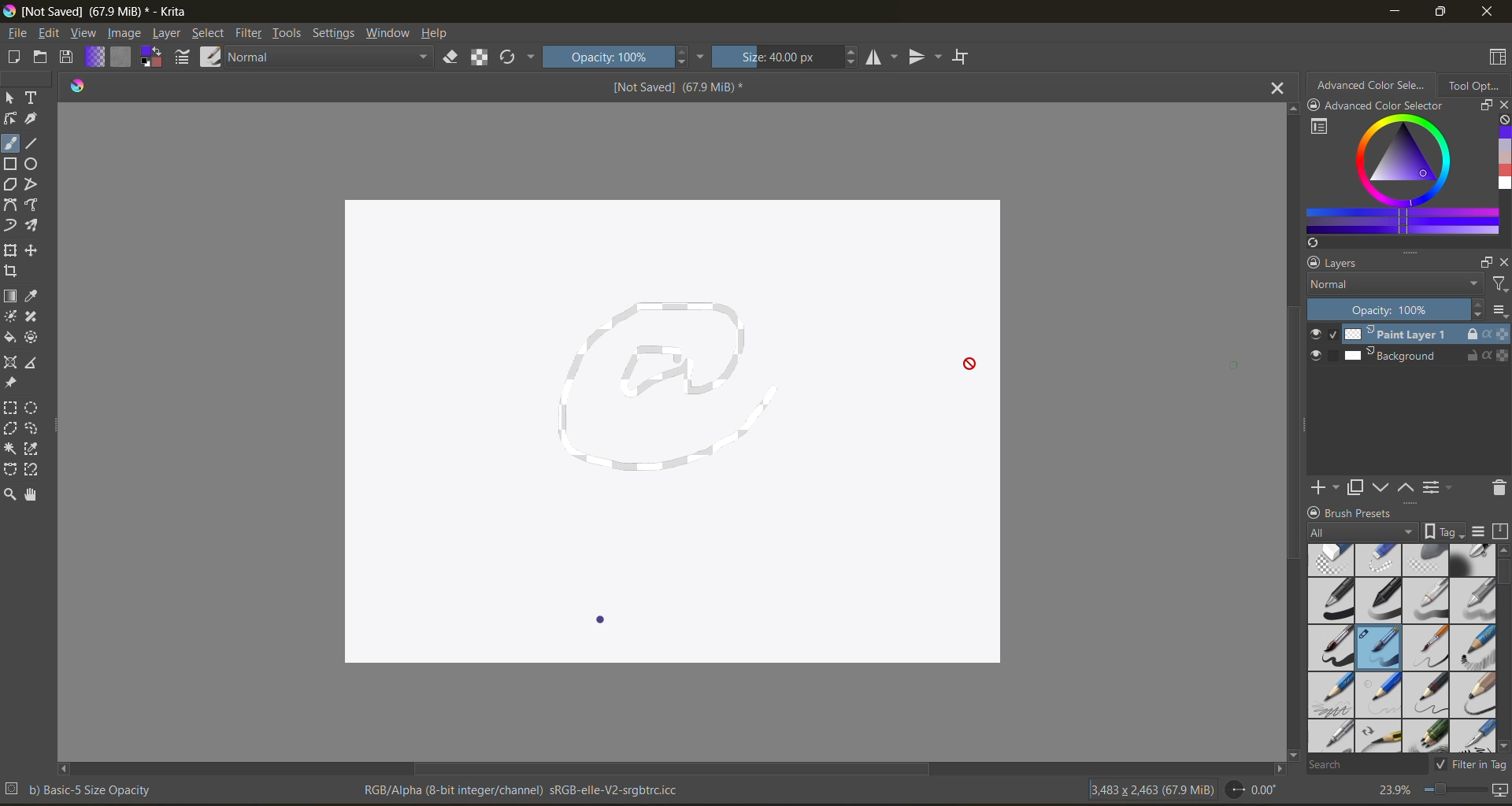 The width and height of the screenshot is (1512, 806). Describe the element at coordinates (9, 408) in the screenshot. I see `rectangular selection tool` at that location.